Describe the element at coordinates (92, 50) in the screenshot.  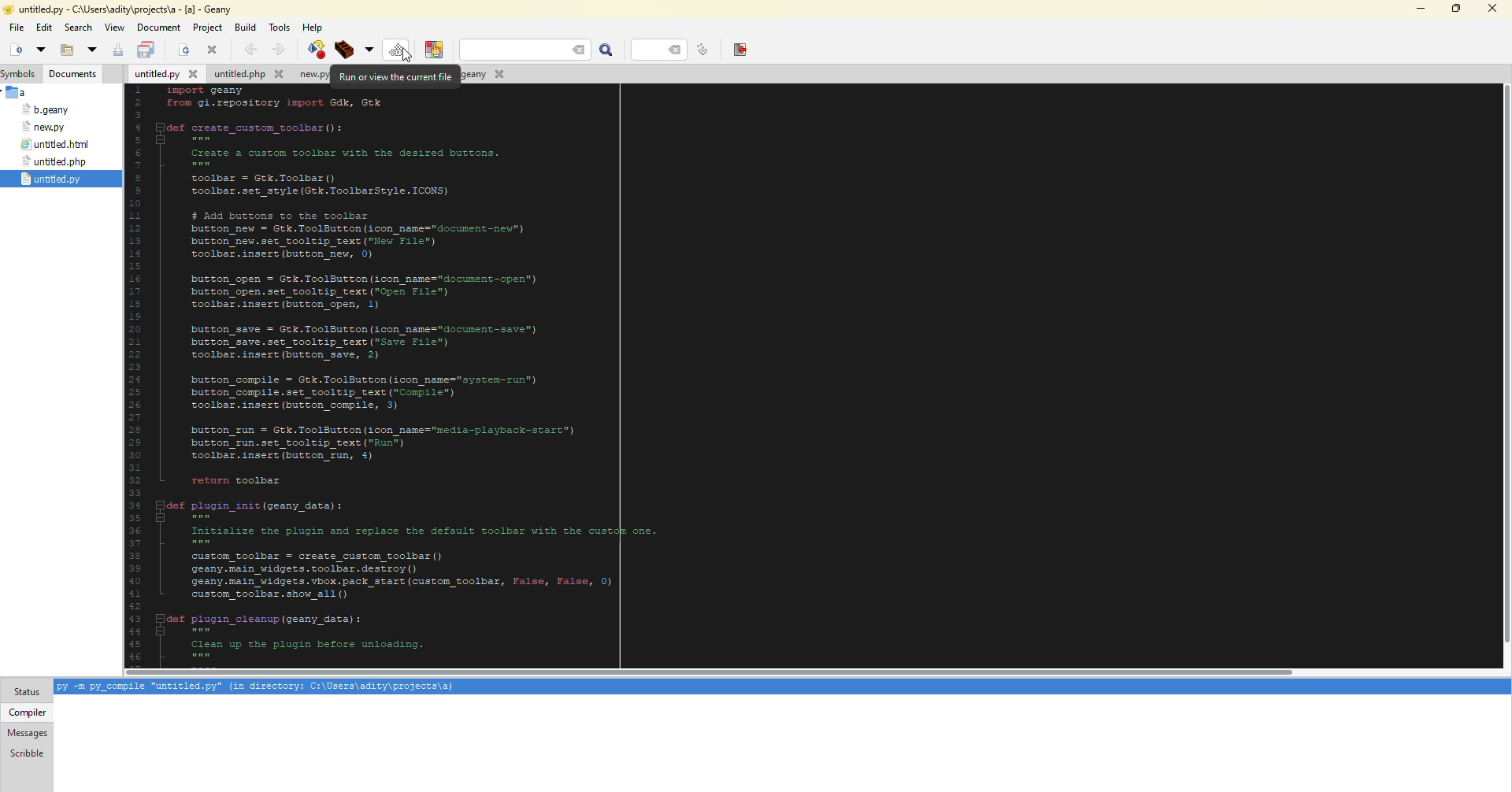
I see `open` at that location.